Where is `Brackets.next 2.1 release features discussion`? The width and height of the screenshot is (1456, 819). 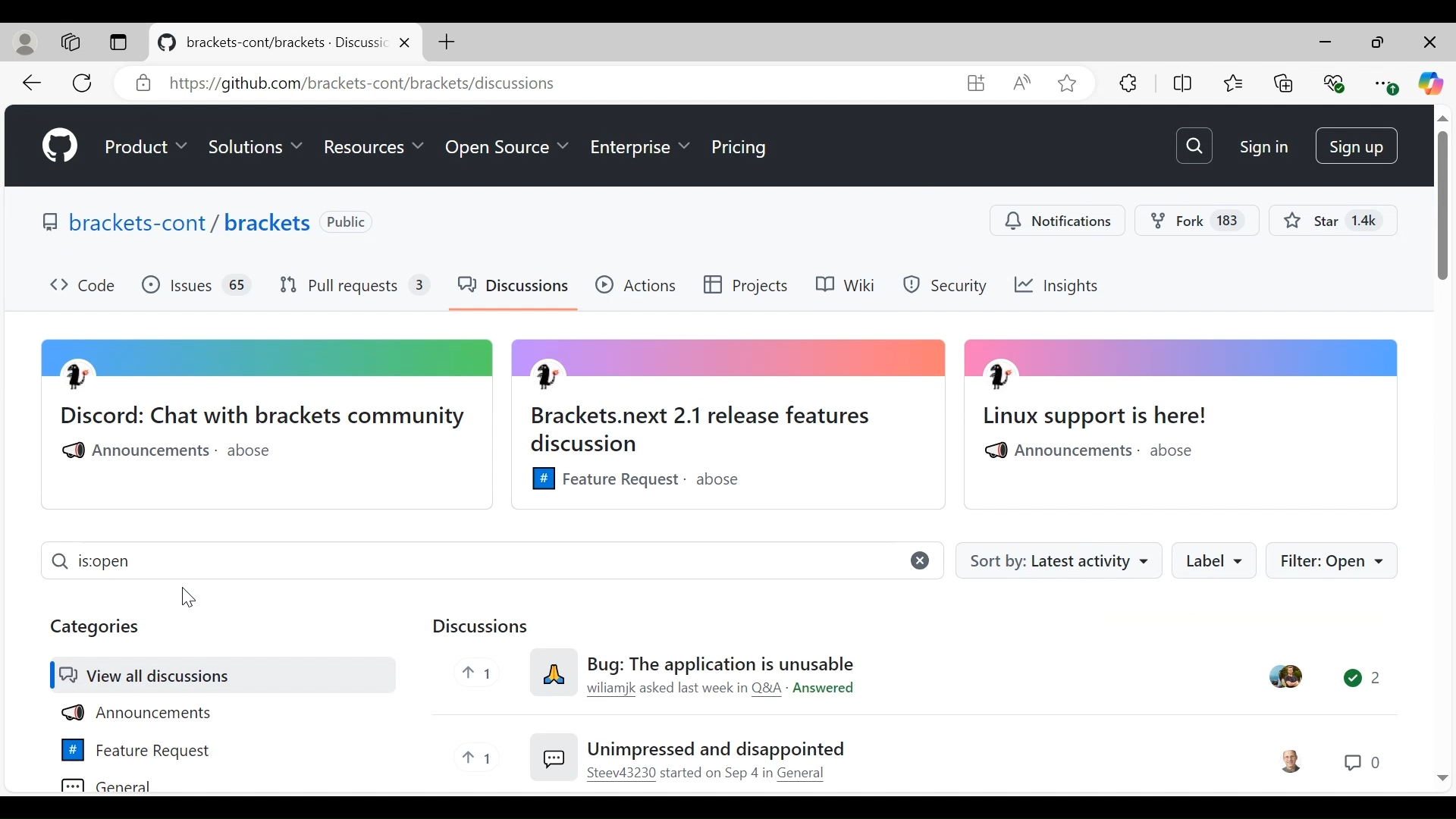
Brackets.next 2.1 release features discussion is located at coordinates (728, 430).